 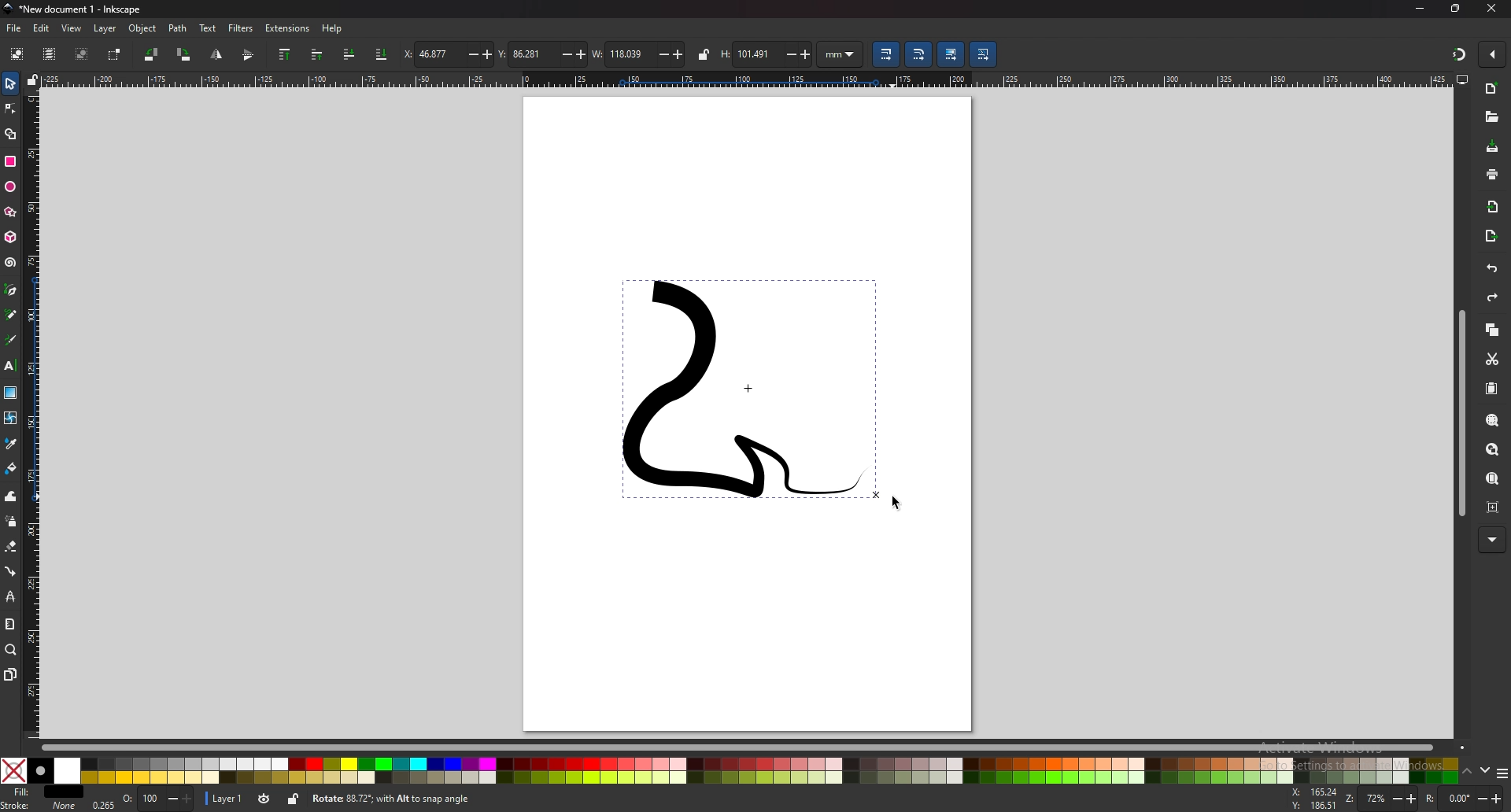 I want to click on ZOOM, so click(x=1383, y=798).